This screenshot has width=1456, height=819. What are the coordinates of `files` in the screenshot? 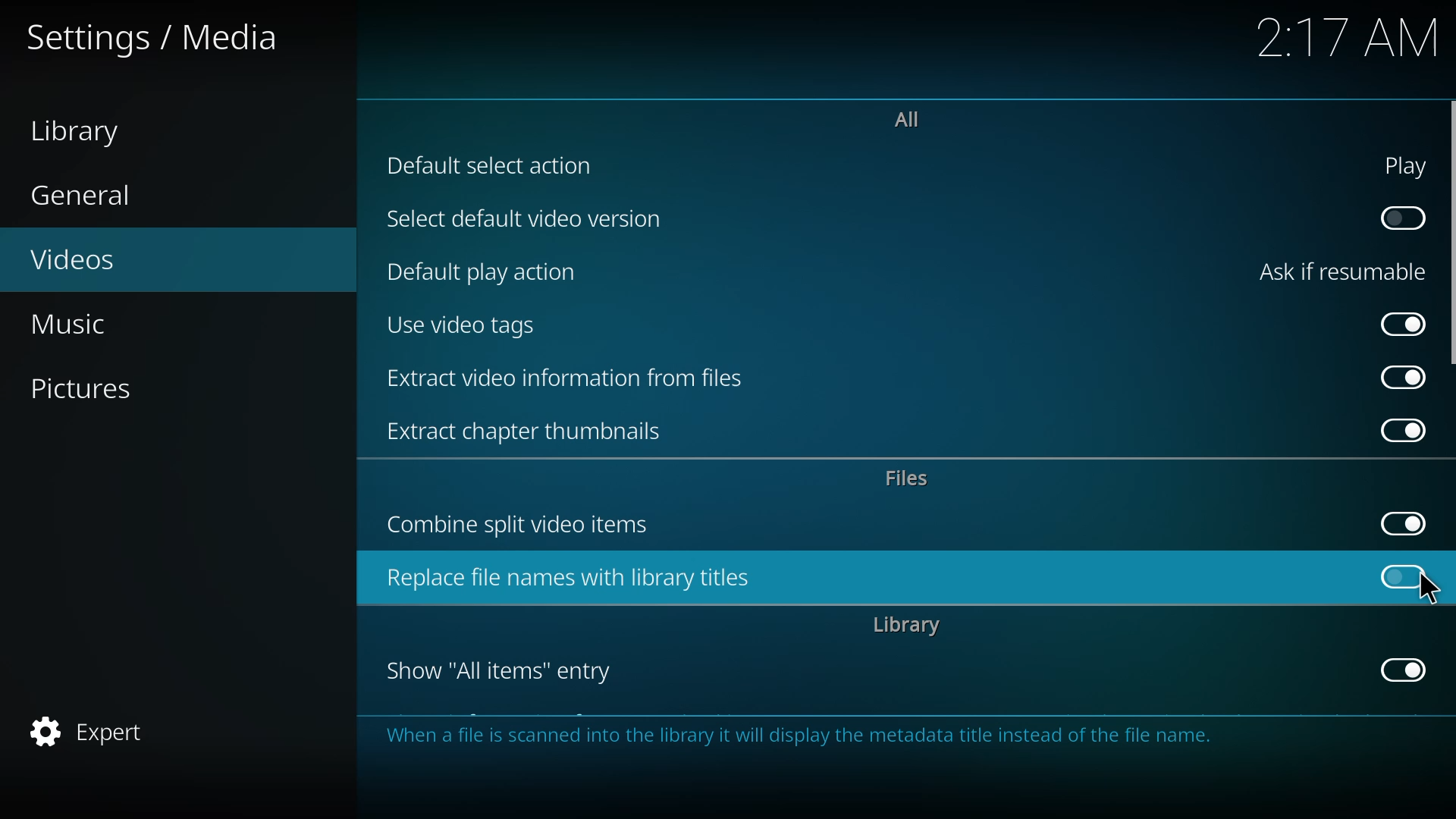 It's located at (912, 479).